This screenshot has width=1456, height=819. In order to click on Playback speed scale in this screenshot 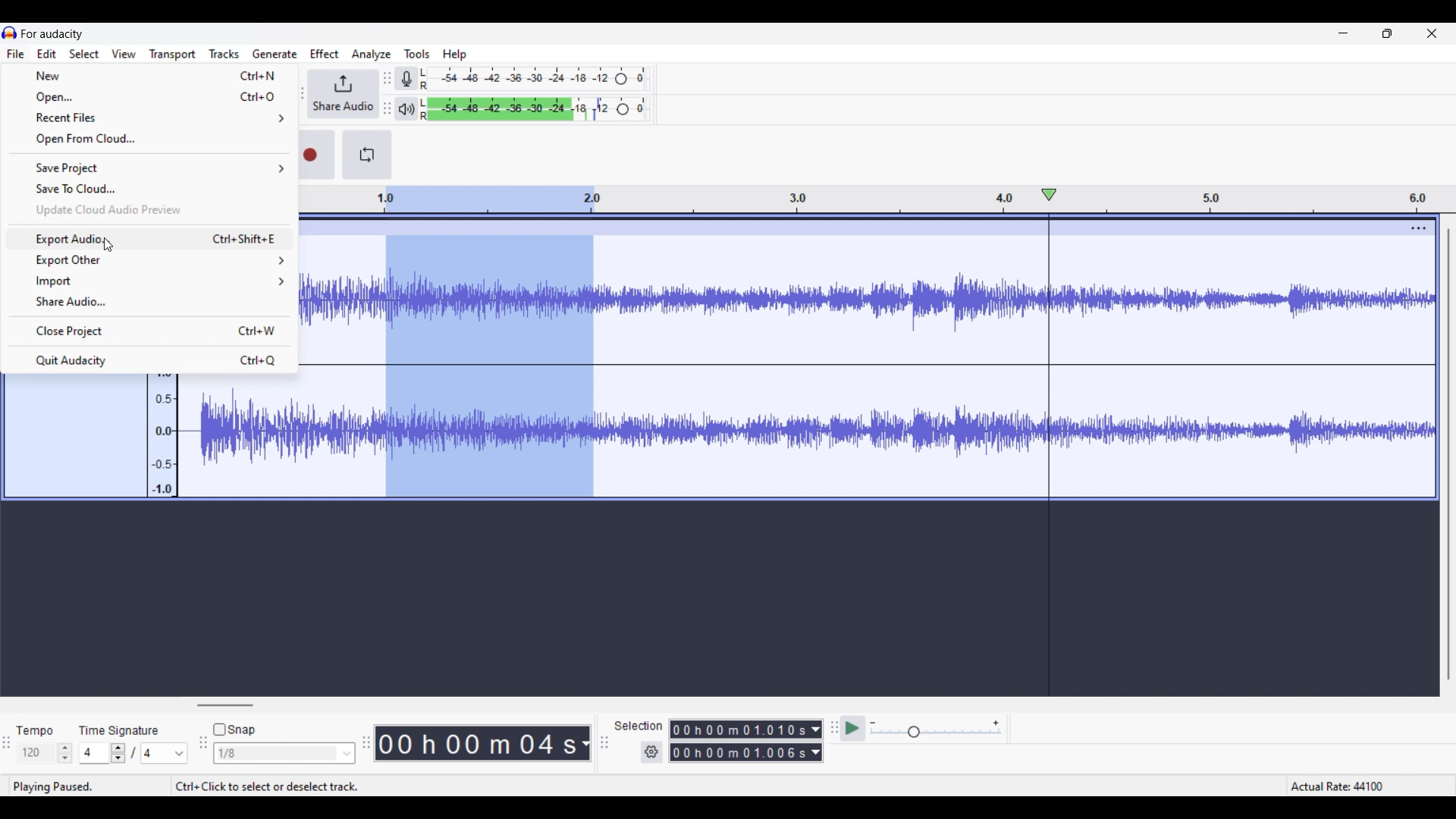, I will do `click(935, 729)`.